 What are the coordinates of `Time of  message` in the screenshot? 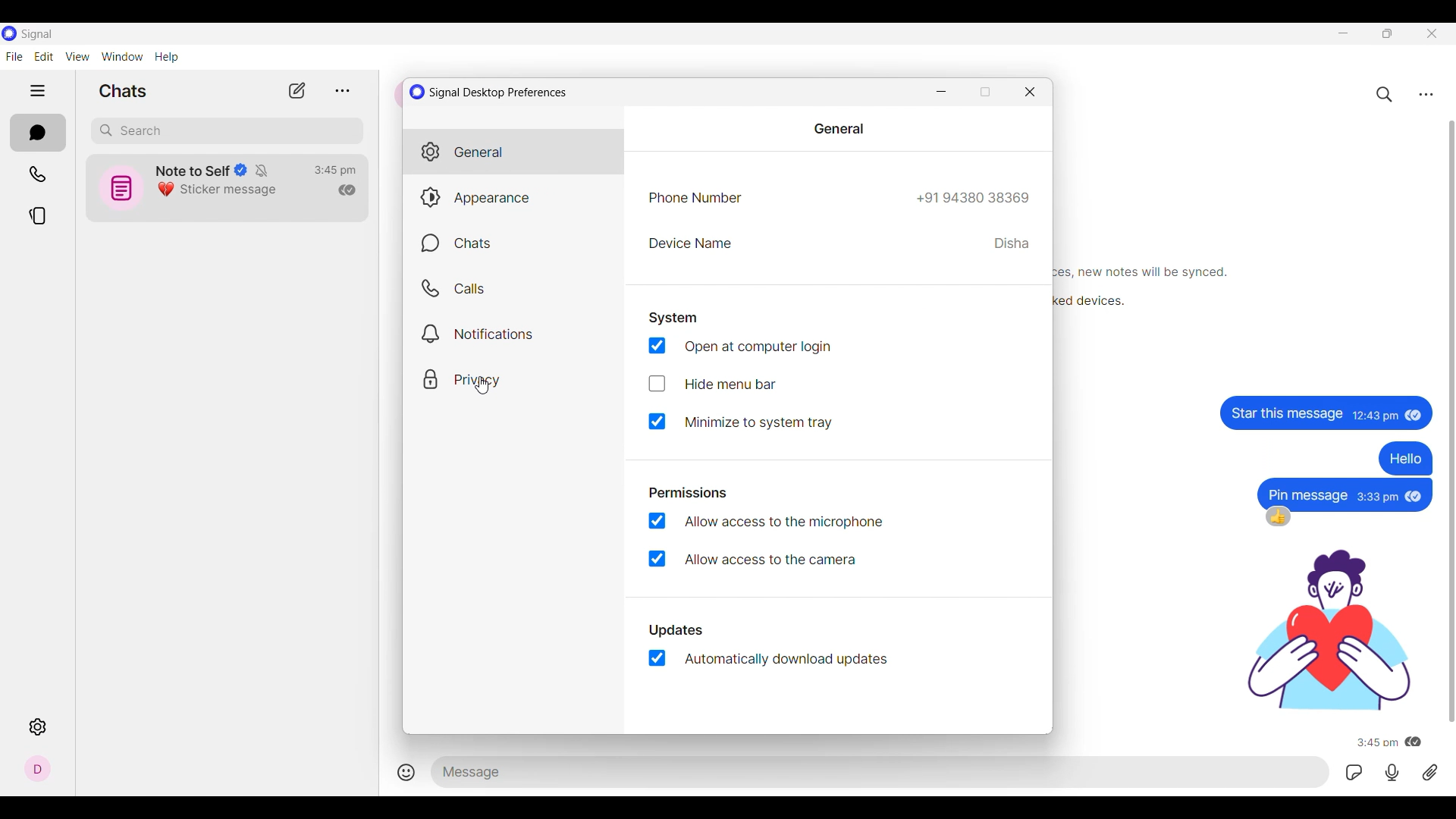 It's located at (1379, 496).